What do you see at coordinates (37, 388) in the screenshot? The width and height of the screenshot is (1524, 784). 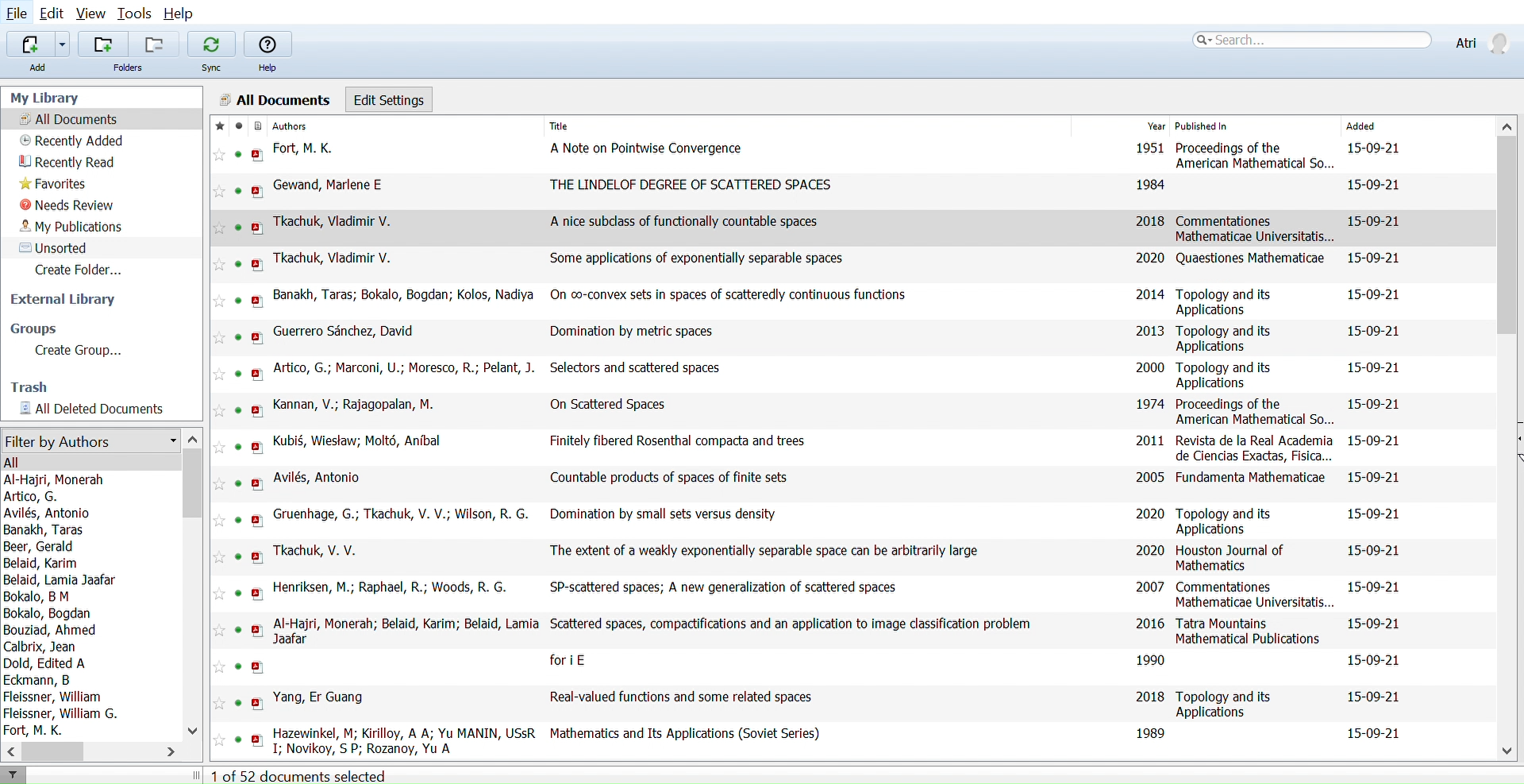 I see `Trash` at bounding box center [37, 388].